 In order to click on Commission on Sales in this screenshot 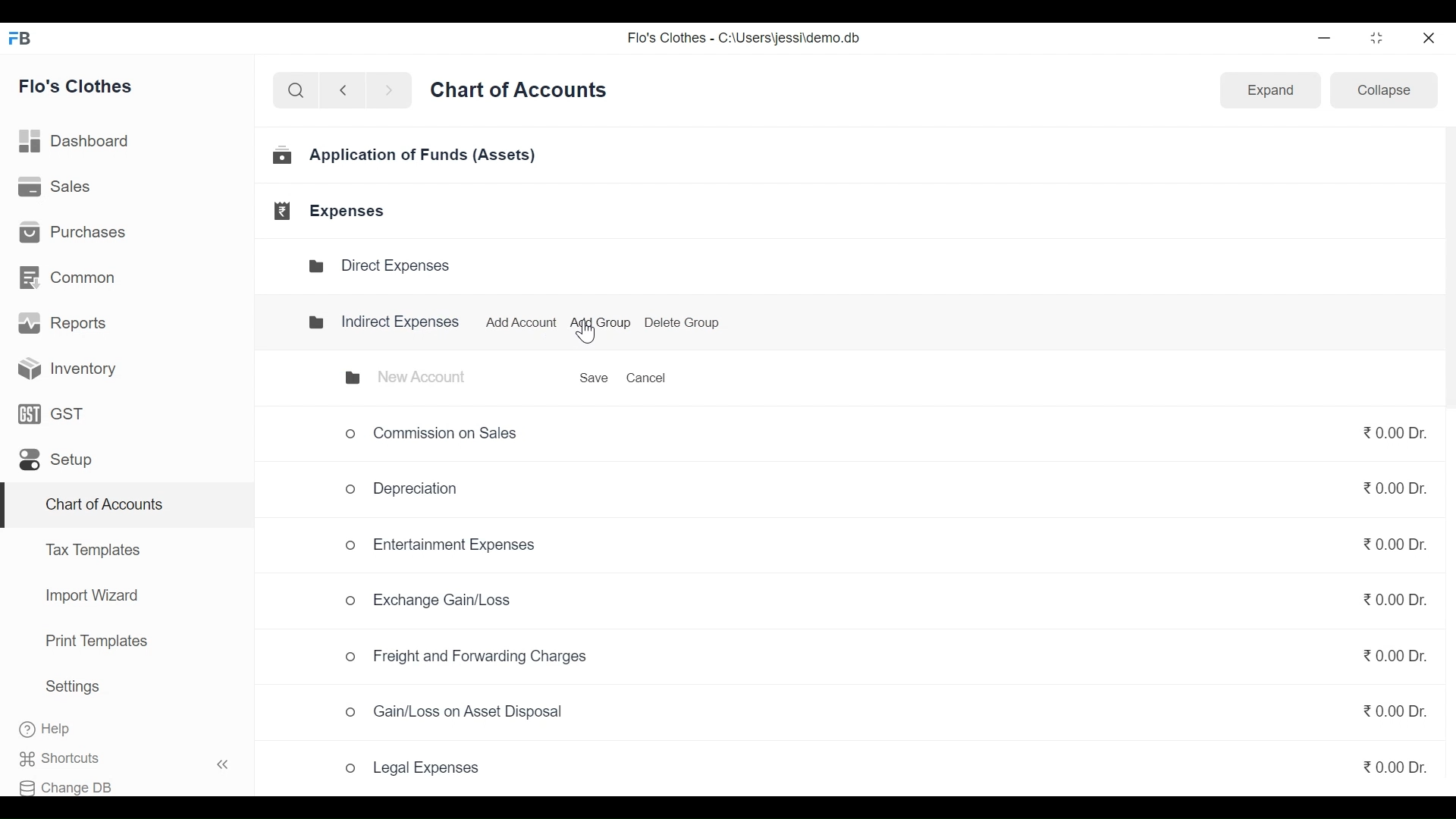, I will do `click(429, 436)`.